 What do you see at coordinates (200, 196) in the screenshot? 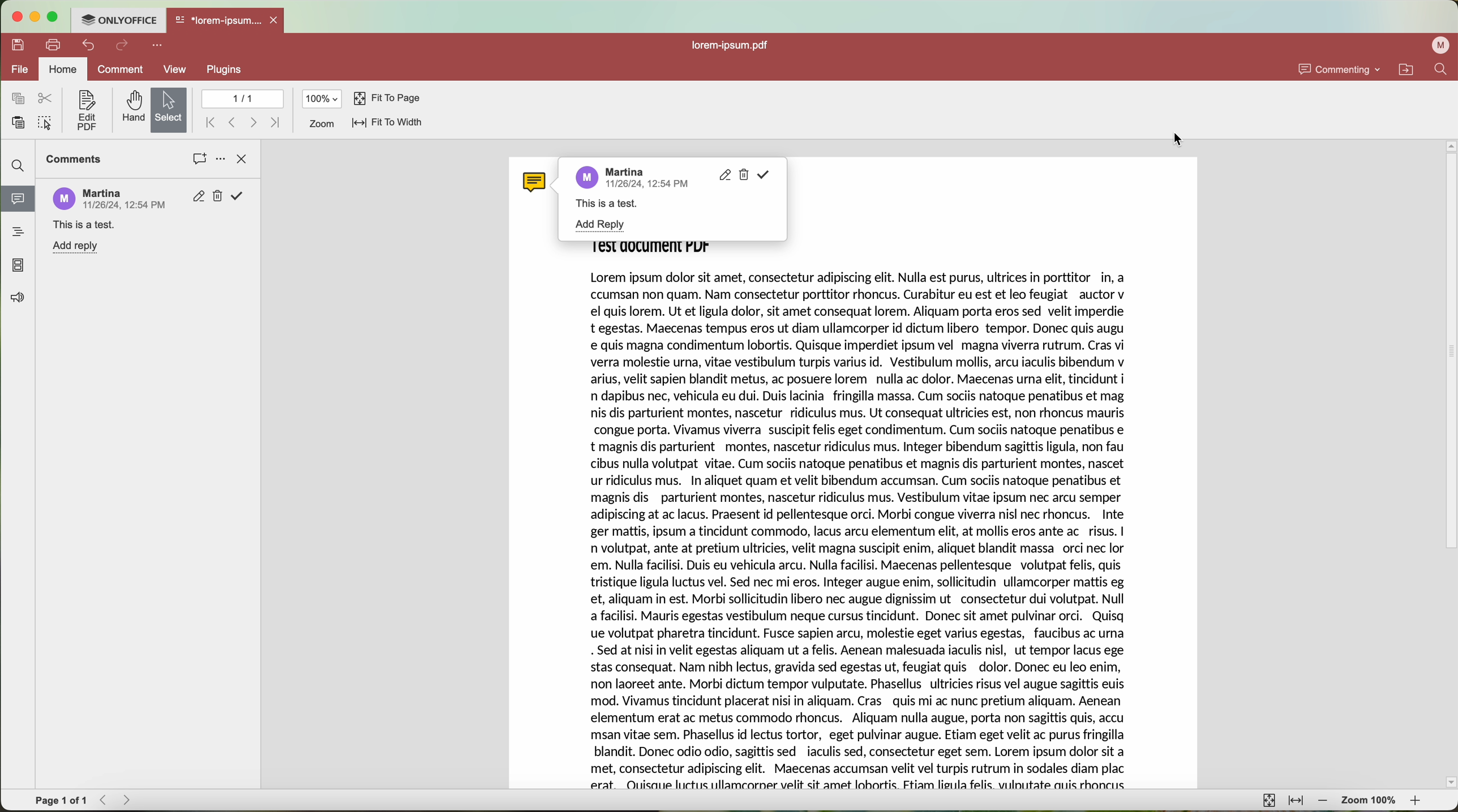
I see `edit` at bounding box center [200, 196].